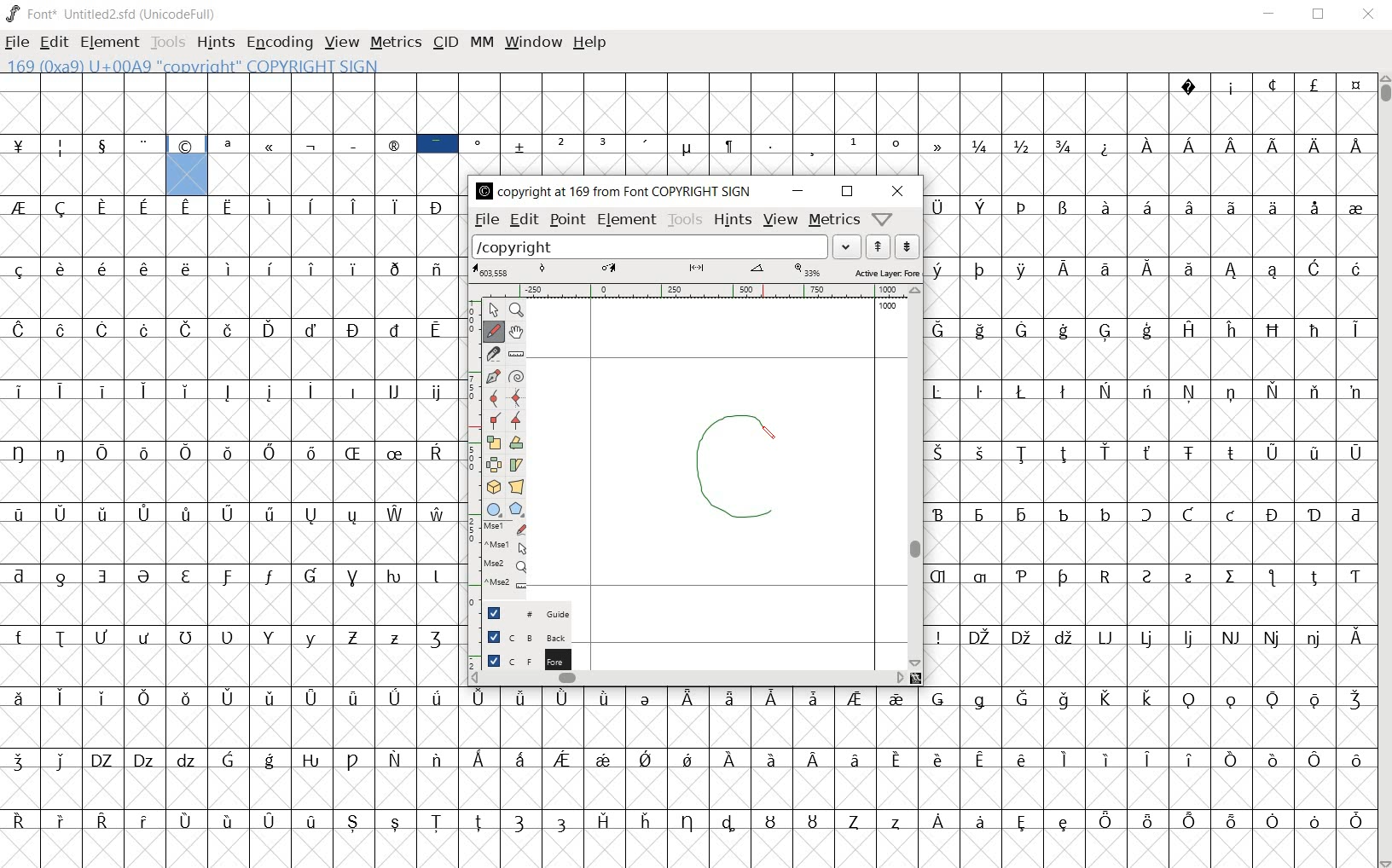 This screenshot has height=868, width=1392. Describe the element at coordinates (516, 355) in the screenshot. I see `measure a distance, angle between points` at that location.